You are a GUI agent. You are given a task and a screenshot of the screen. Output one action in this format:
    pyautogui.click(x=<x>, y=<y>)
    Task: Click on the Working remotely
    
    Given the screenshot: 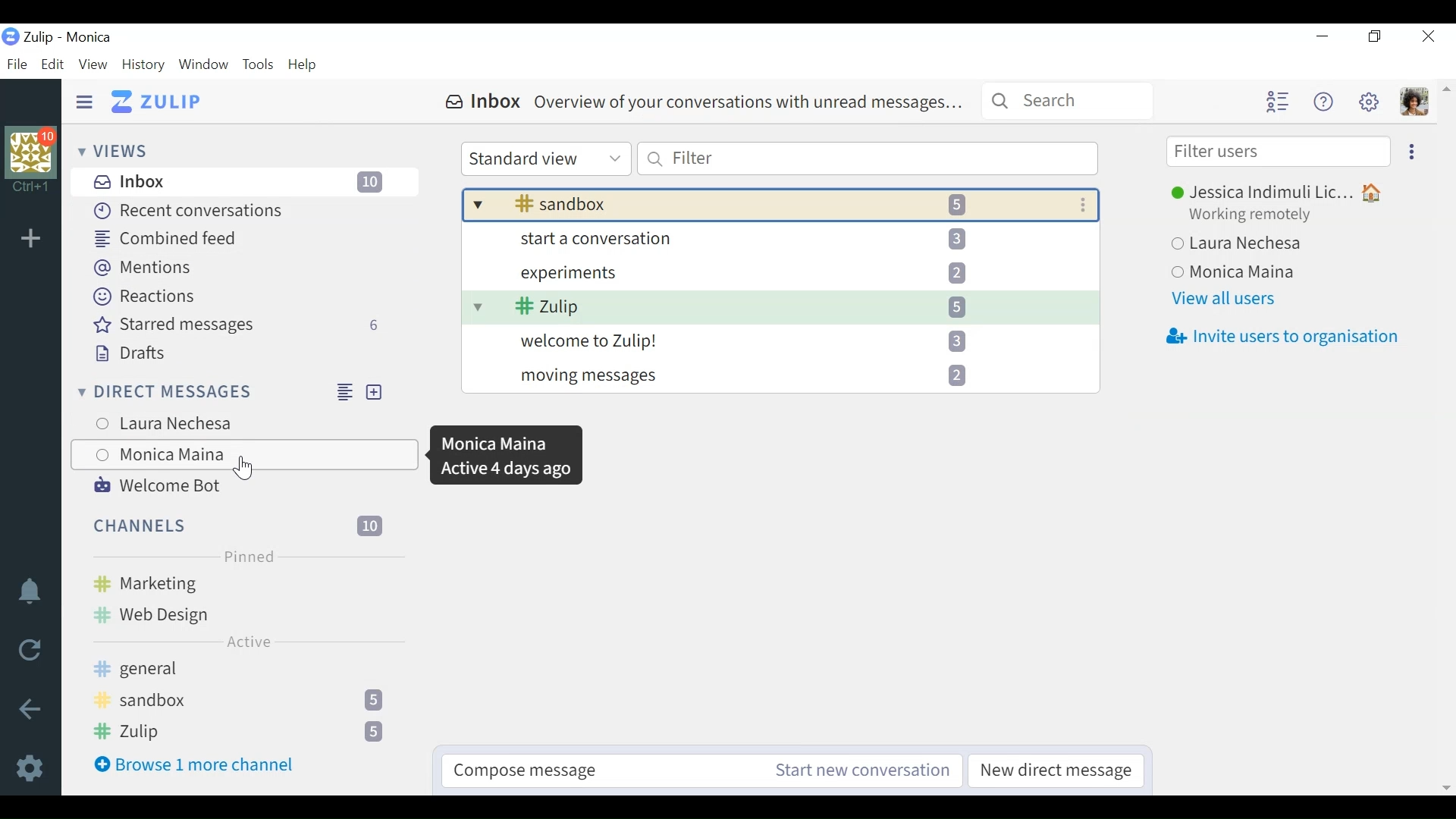 What is the action you would take?
    pyautogui.click(x=1255, y=215)
    